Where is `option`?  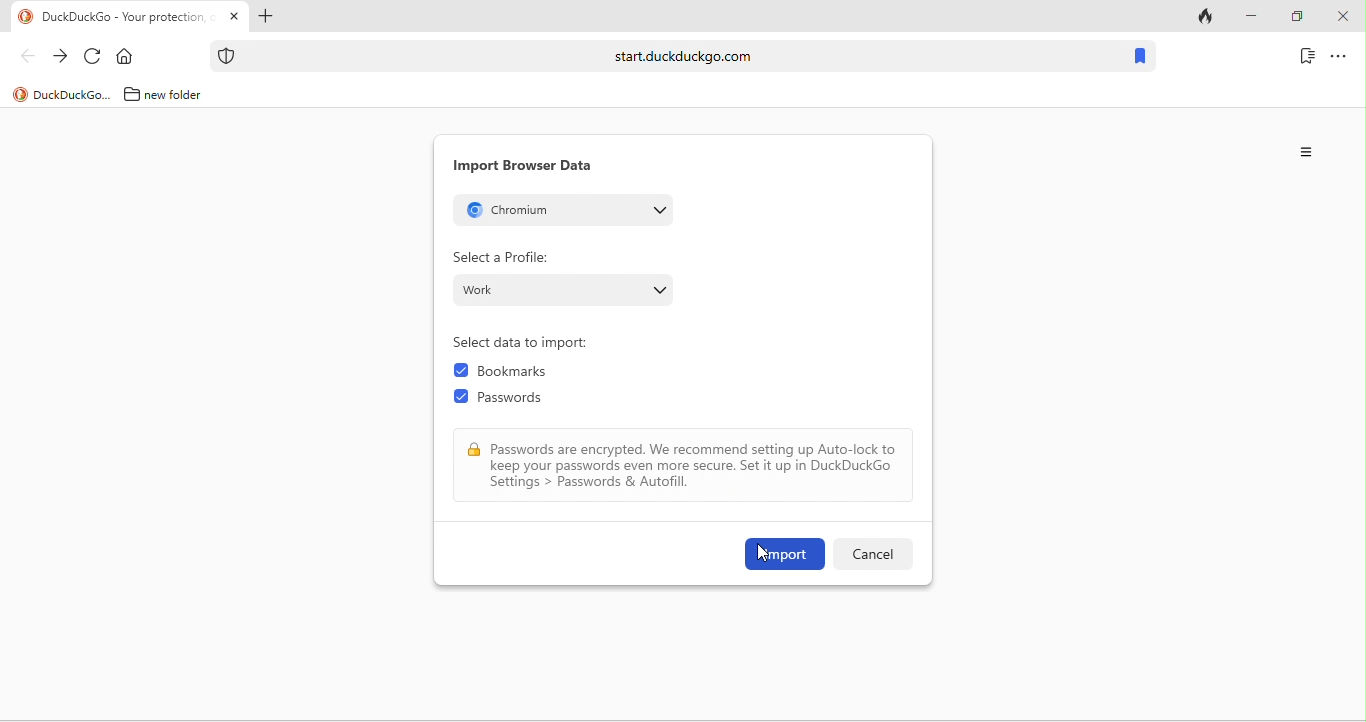 option is located at coordinates (1308, 152).